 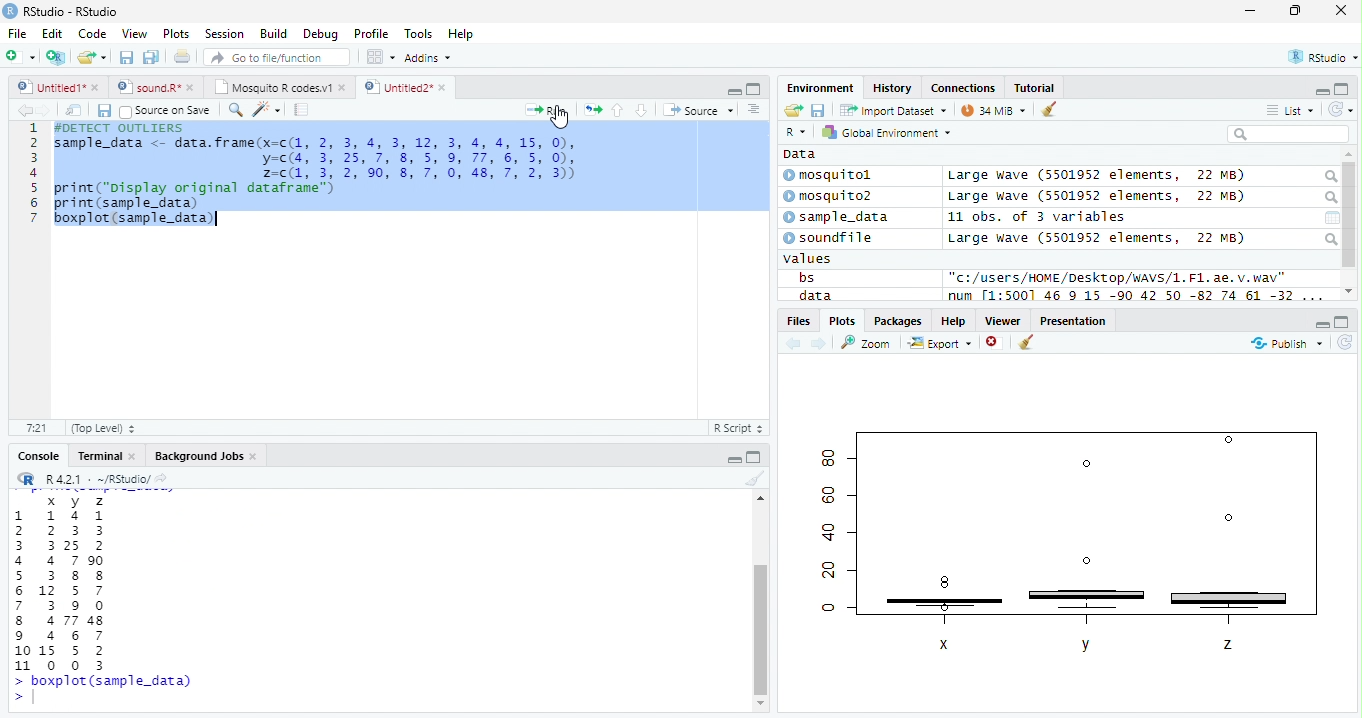 I want to click on Print, so click(x=183, y=58).